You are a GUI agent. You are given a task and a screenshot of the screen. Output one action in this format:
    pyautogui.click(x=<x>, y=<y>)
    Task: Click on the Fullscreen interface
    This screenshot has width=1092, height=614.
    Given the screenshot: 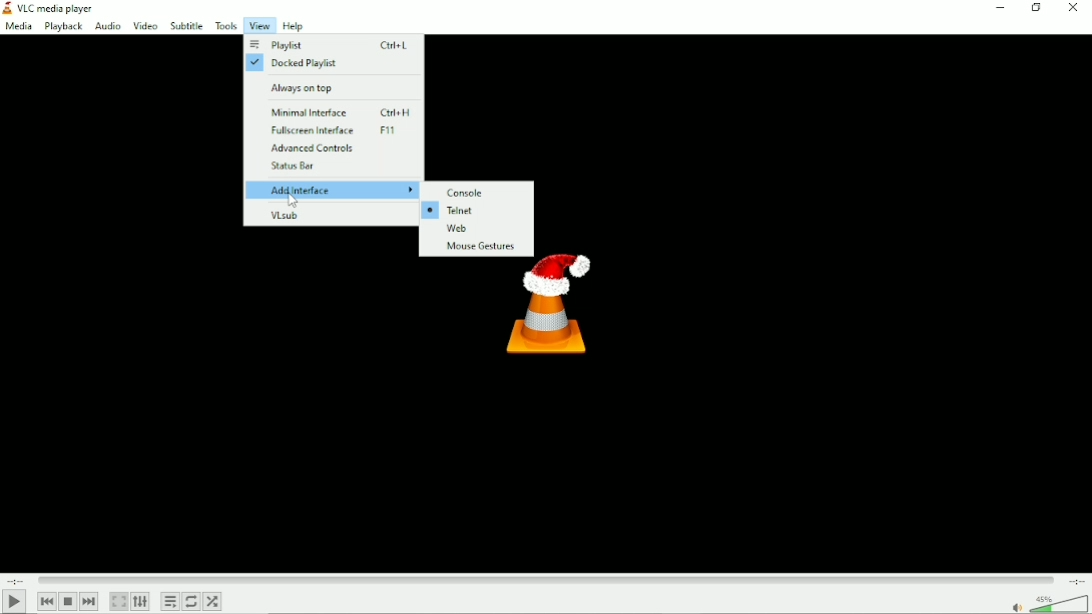 What is the action you would take?
    pyautogui.click(x=338, y=131)
    